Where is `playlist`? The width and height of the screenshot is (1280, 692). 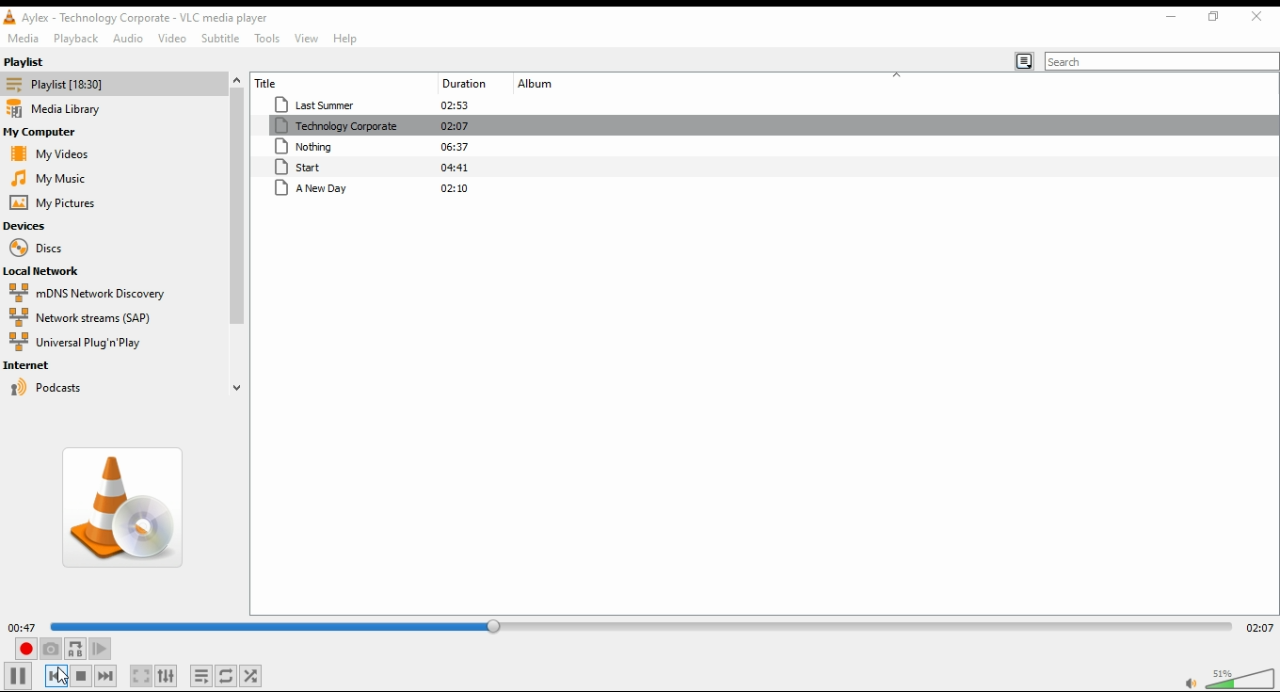 playlist is located at coordinates (75, 38).